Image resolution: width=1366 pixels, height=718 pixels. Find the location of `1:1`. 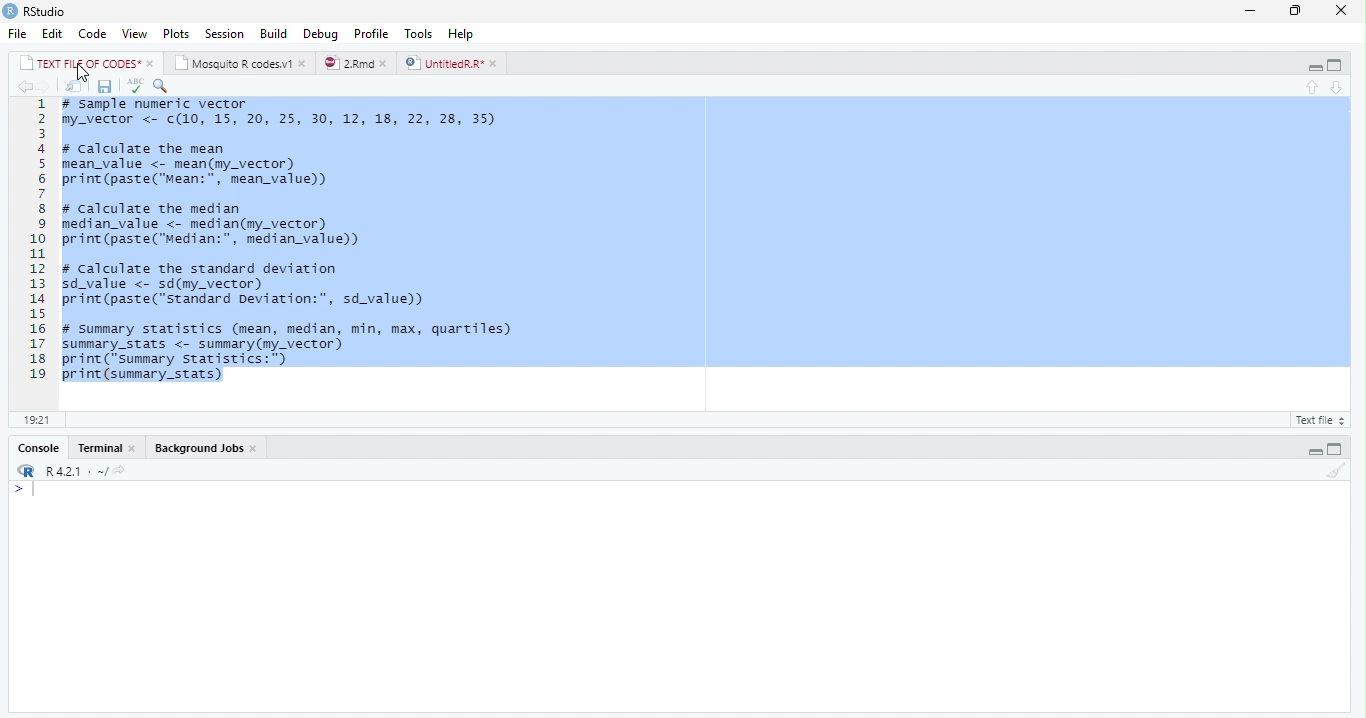

1:1 is located at coordinates (35, 420).